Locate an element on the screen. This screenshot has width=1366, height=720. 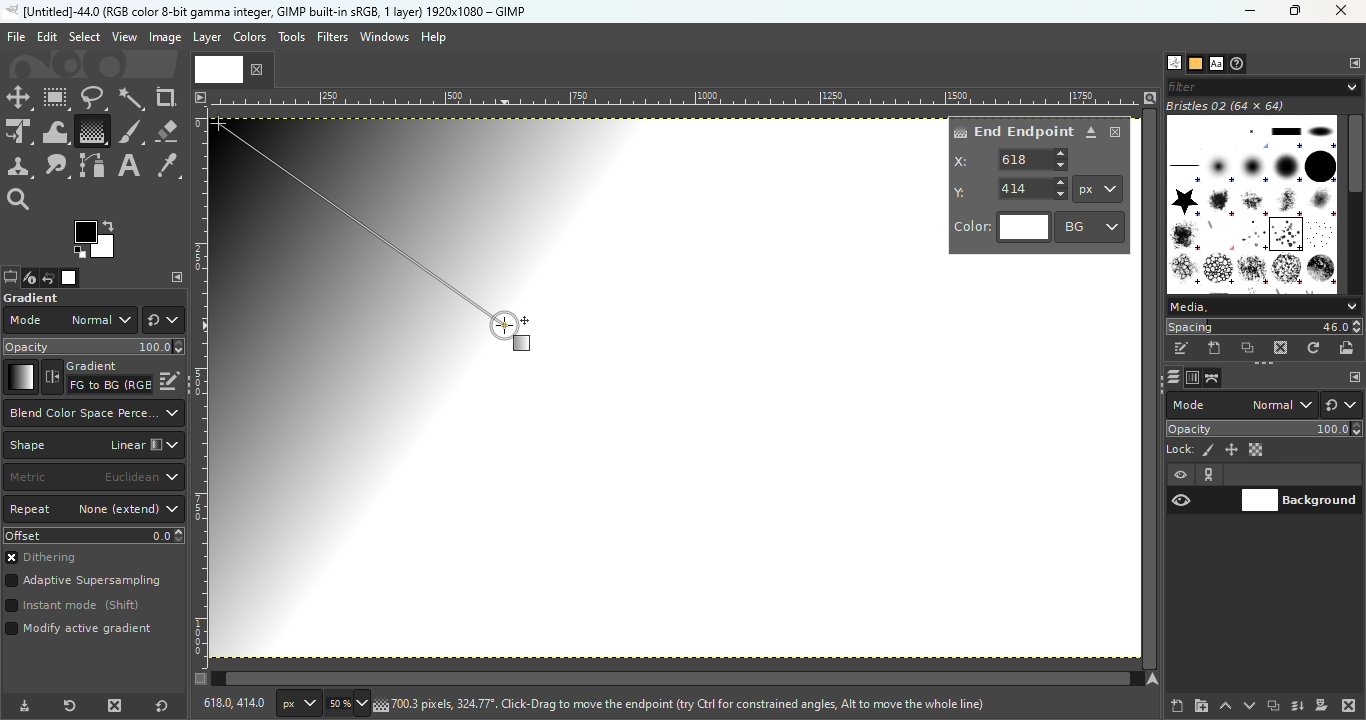
The active background color is located at coordinates (98, 240).